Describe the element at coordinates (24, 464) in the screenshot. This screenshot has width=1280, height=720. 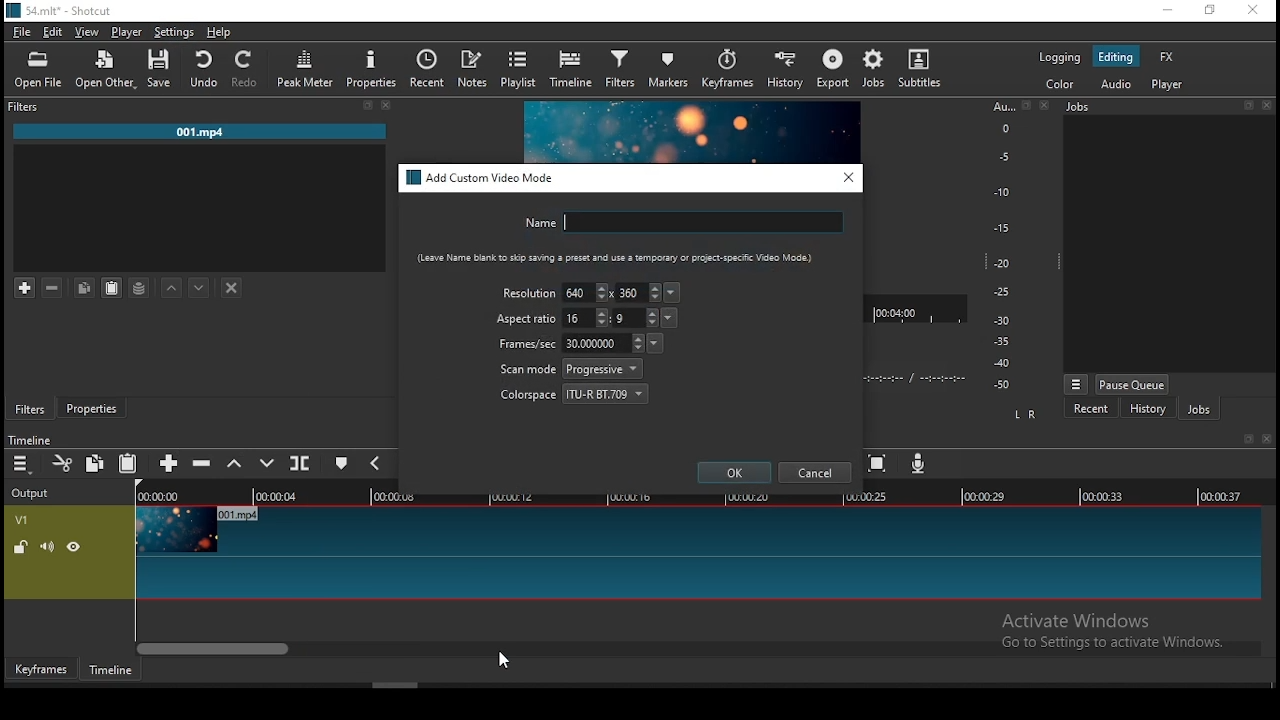
I see `timeline menu` at that location.